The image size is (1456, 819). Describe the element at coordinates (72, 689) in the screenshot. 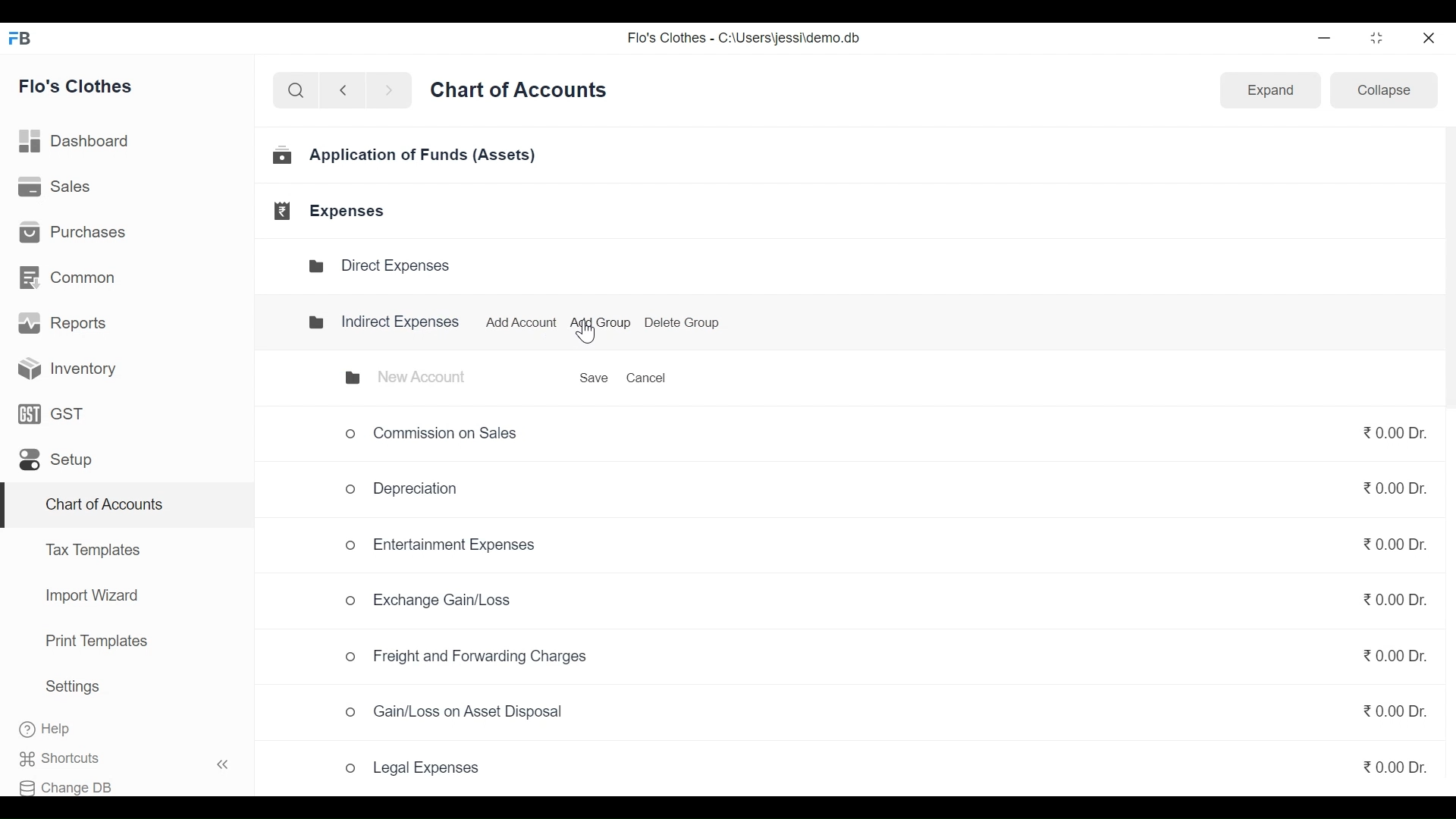

I see `Settings` at that location.